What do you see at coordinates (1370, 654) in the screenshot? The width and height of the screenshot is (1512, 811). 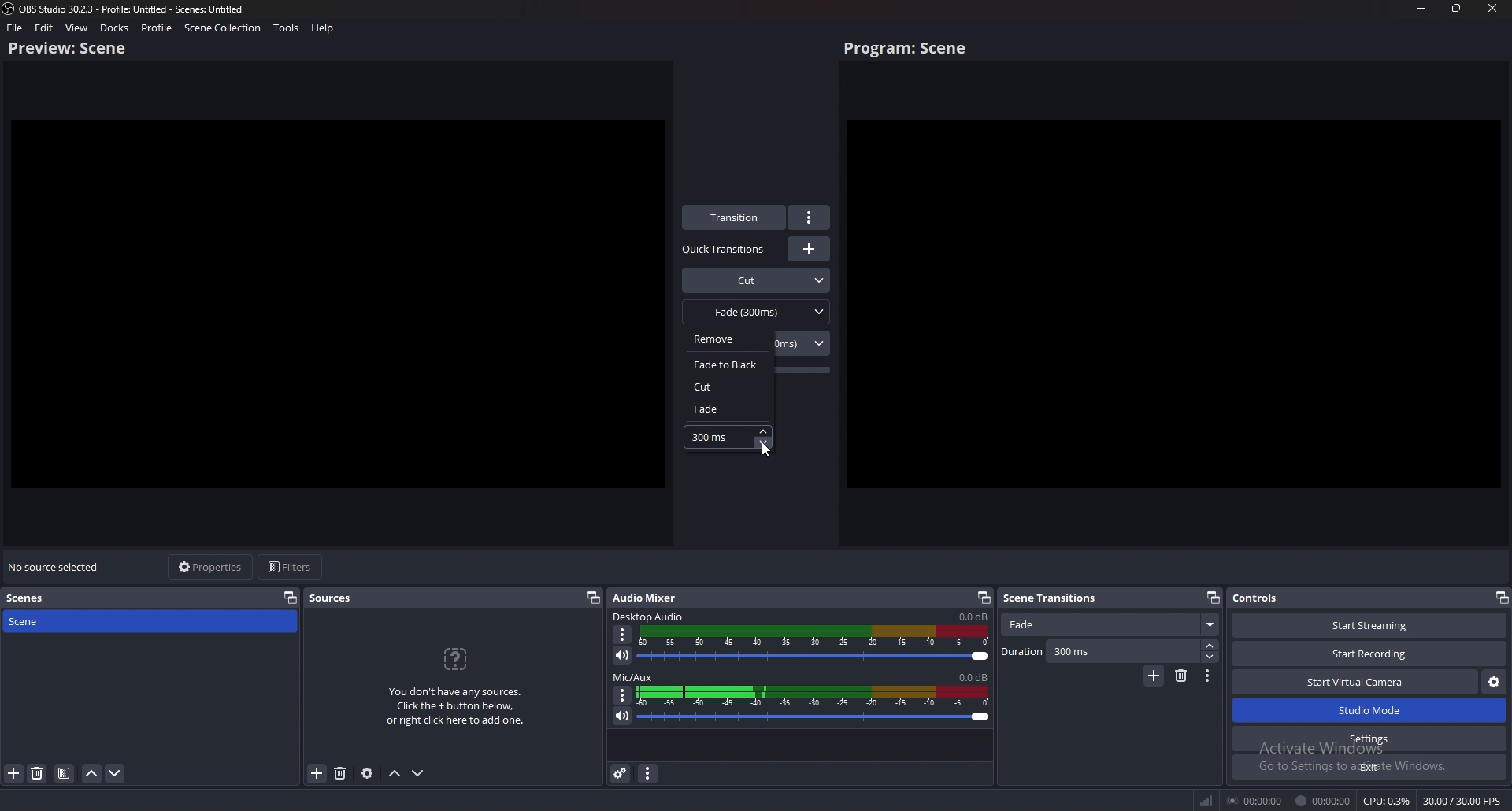 I see `Start recording` at bounding box center [1370, 654].